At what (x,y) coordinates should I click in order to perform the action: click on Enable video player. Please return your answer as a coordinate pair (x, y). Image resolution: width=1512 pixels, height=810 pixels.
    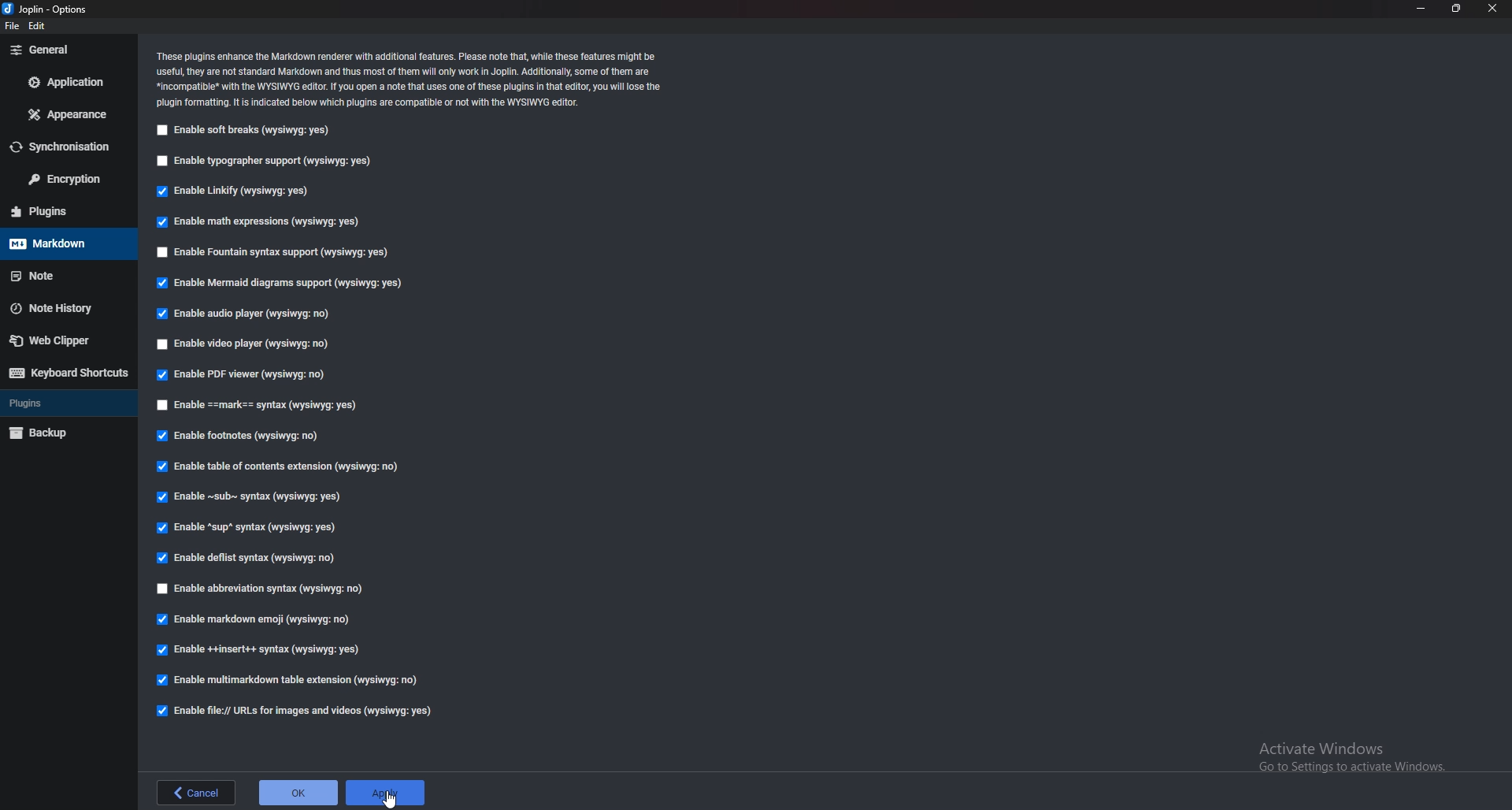
    Looking at the image, I should click on (244, 345).